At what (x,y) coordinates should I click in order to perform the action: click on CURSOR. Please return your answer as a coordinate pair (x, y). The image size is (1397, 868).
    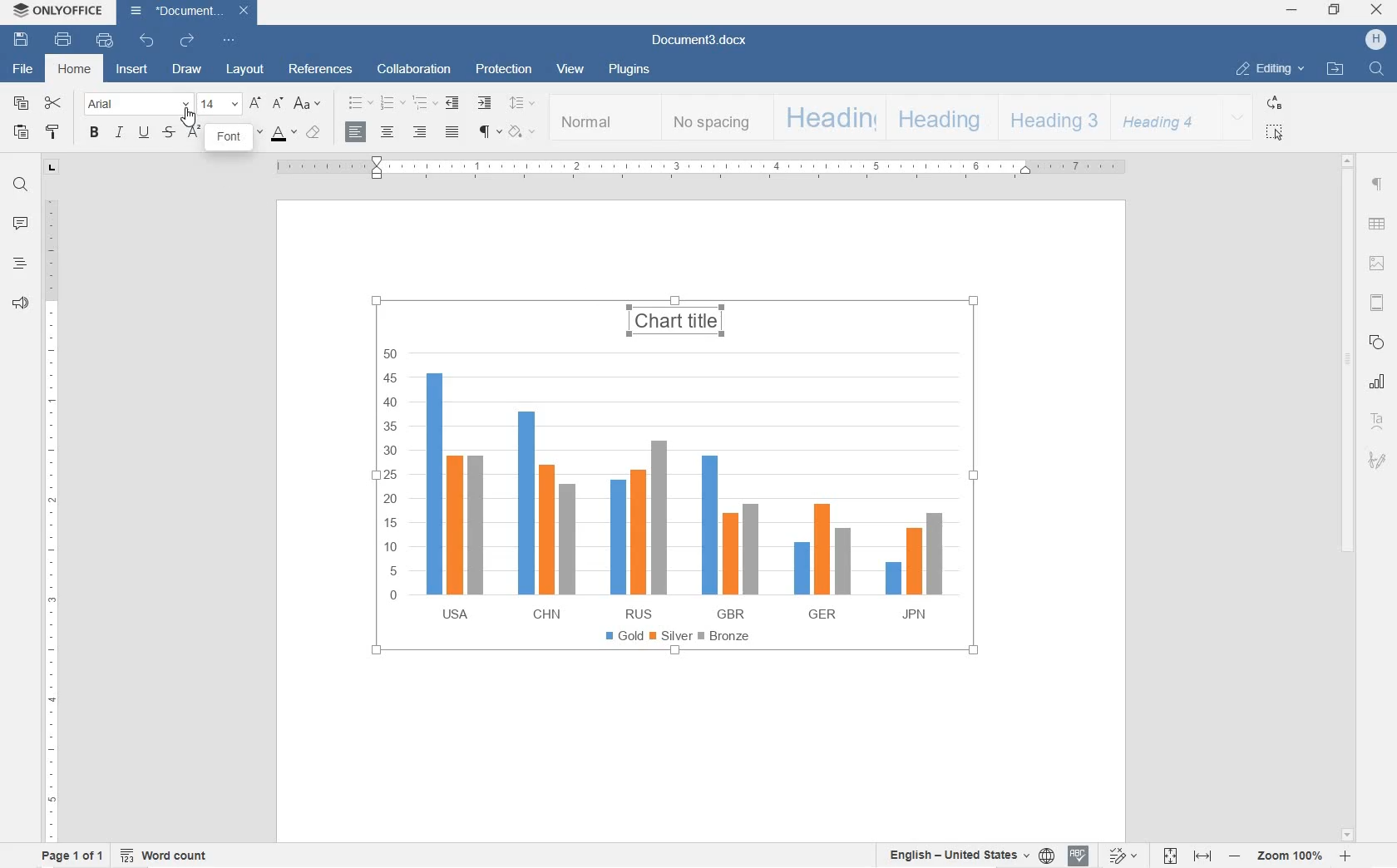
    Looking at the image, I should click on (190, 121).